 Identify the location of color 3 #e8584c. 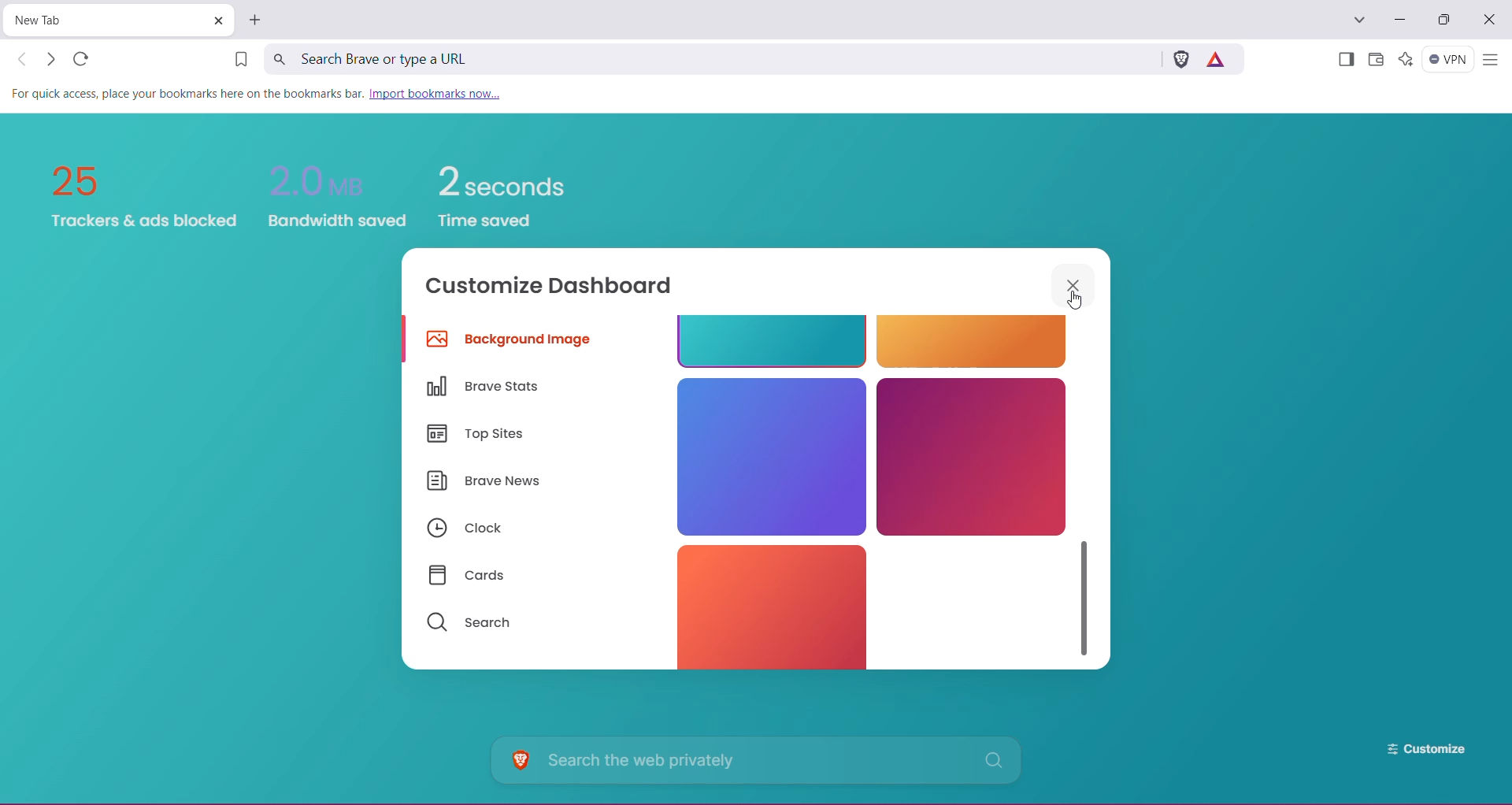
(766, 606).